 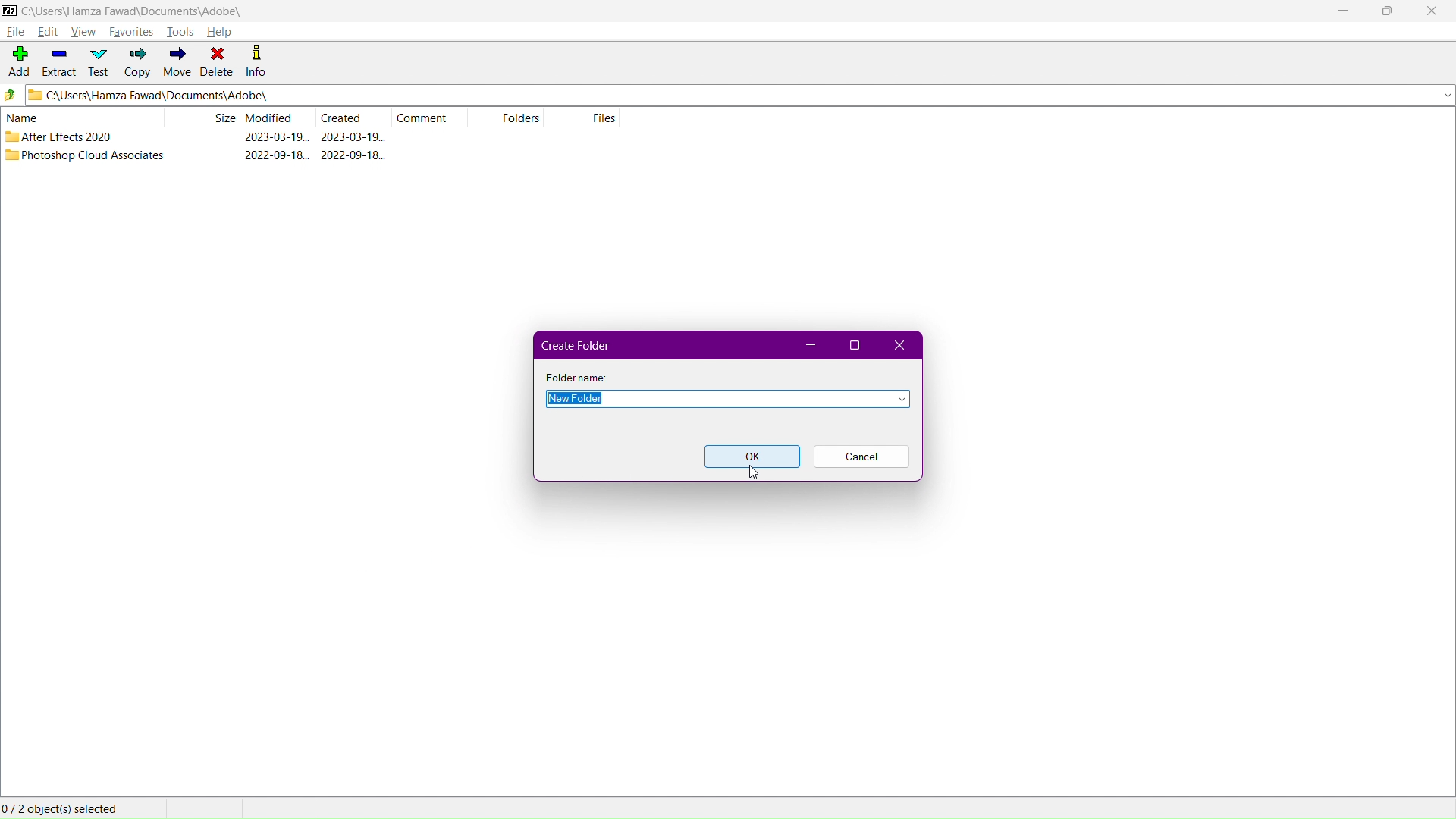 What do you see at coordinates (224, 32) in the screenshot?
I see `Help` at bounding box center [224, 32].